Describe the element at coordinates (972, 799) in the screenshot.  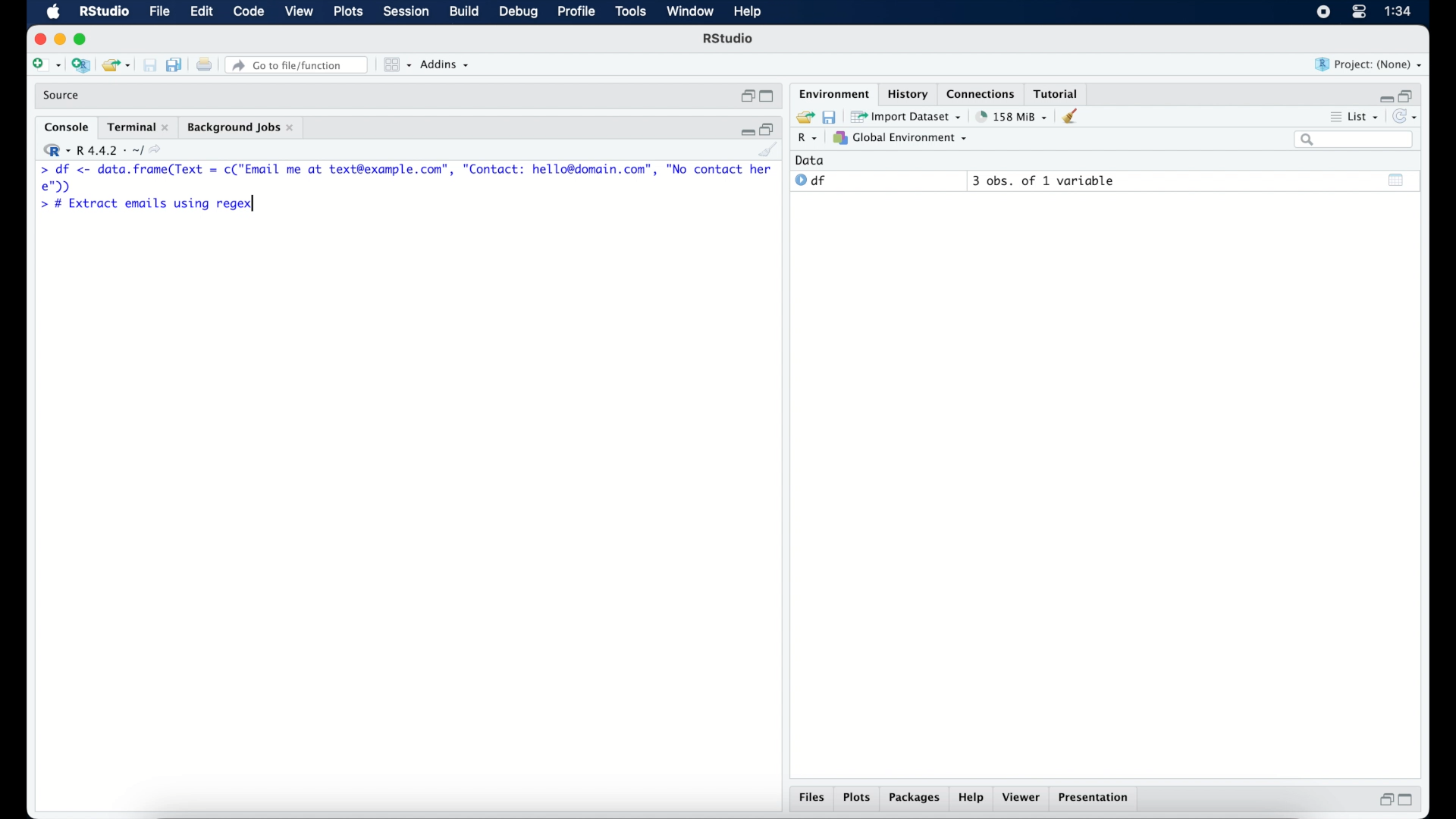
I see `help` at that location.